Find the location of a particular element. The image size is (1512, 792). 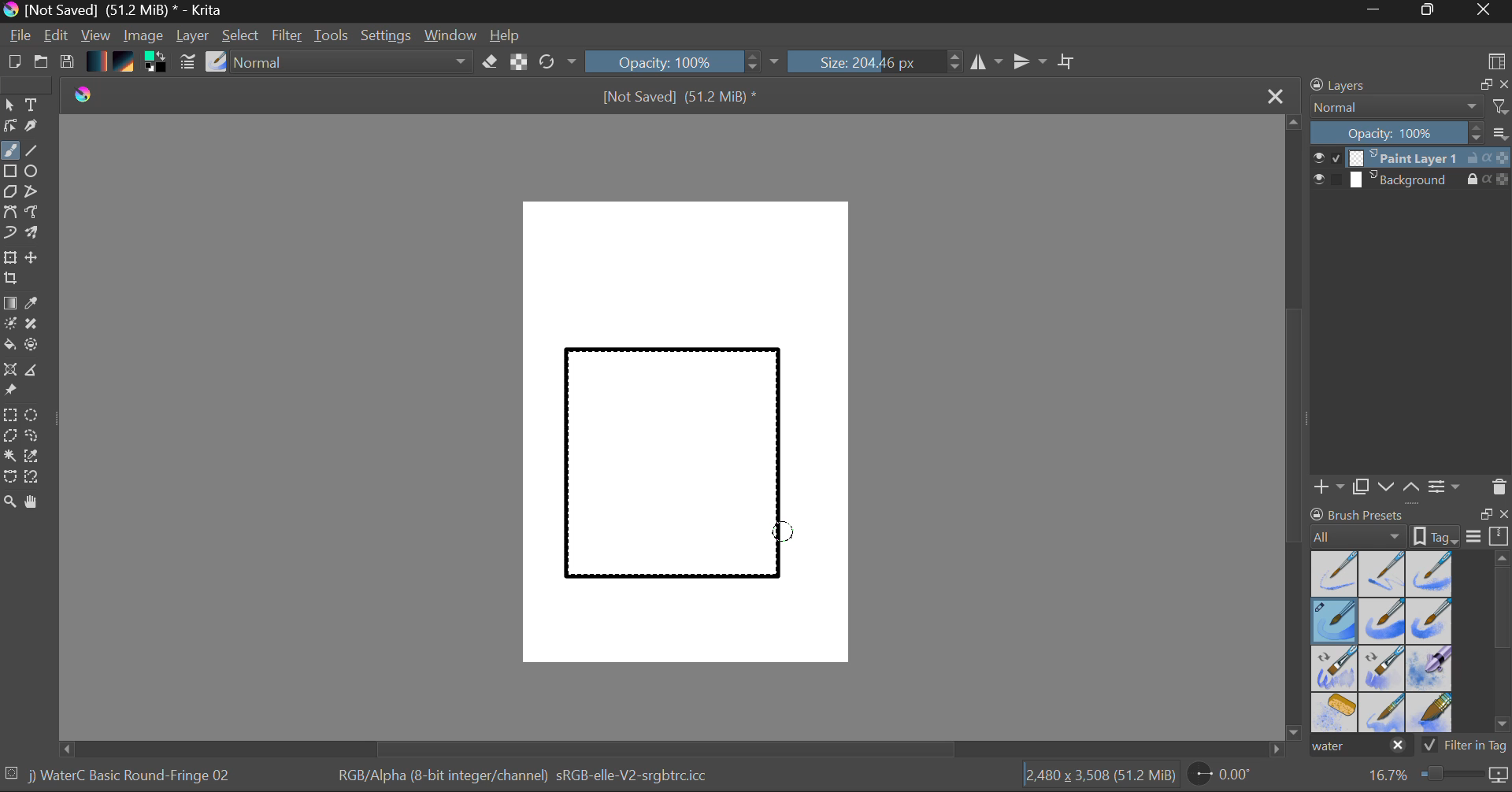

Water C - Spread is located at coordinates (1384, 712).